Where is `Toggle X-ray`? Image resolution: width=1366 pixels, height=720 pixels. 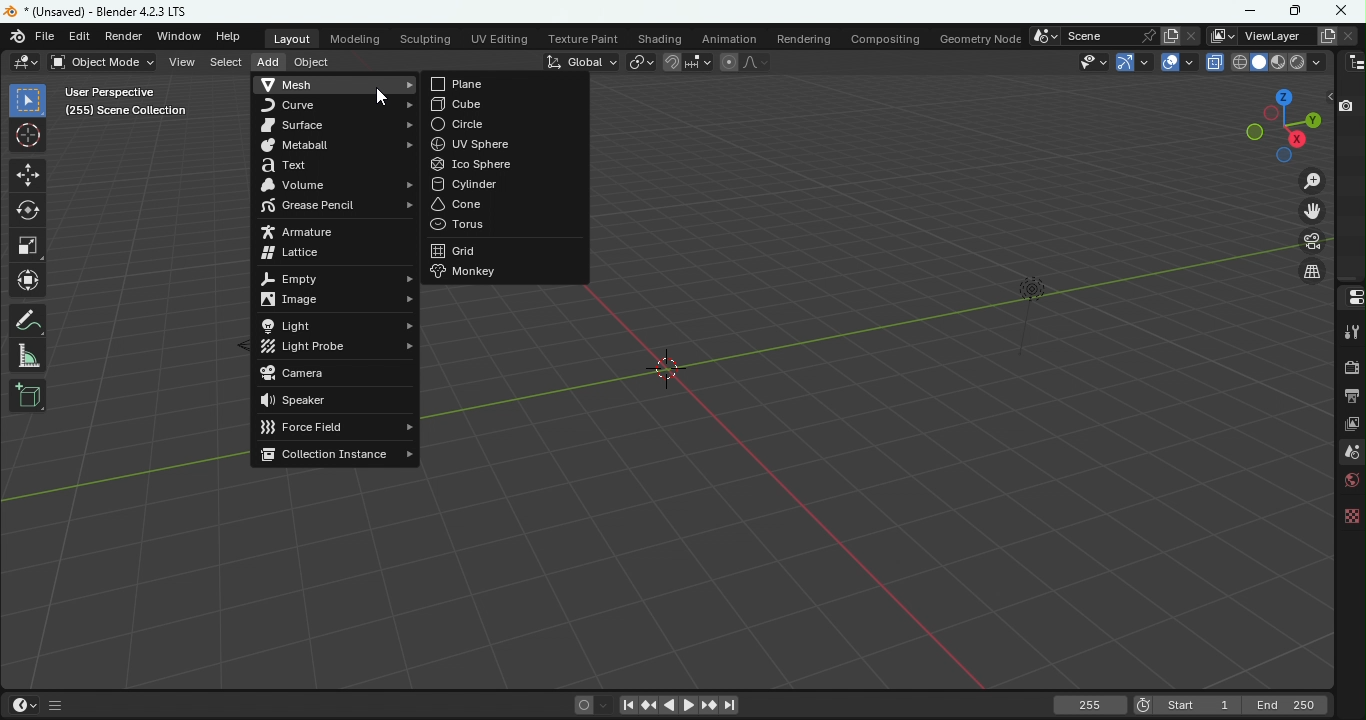 Toggle X-ray is located at coordinates (1216, 63).